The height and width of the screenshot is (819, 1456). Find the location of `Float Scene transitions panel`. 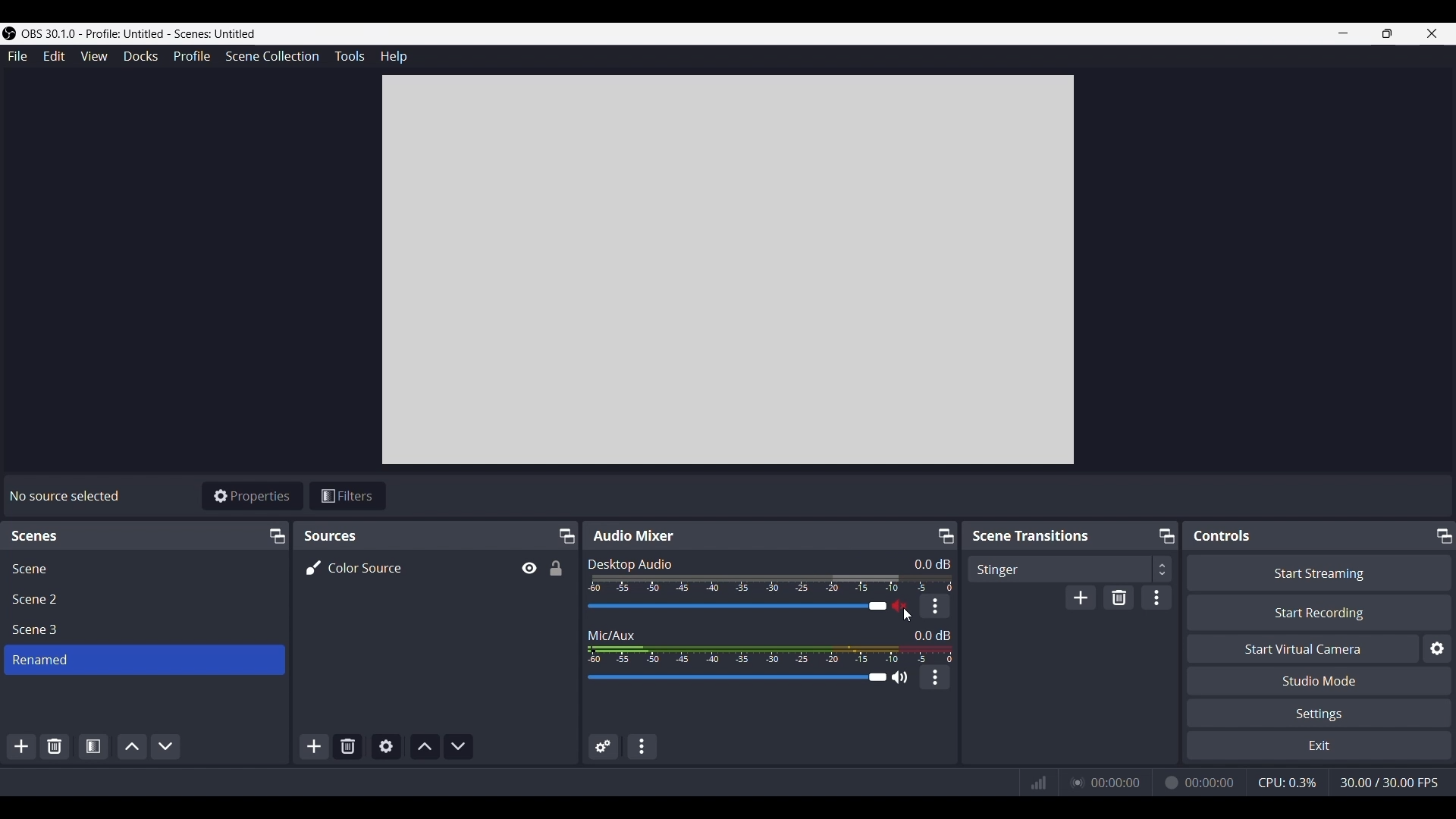

Float Scene transitions panel is located at coordinates (1167, 536).